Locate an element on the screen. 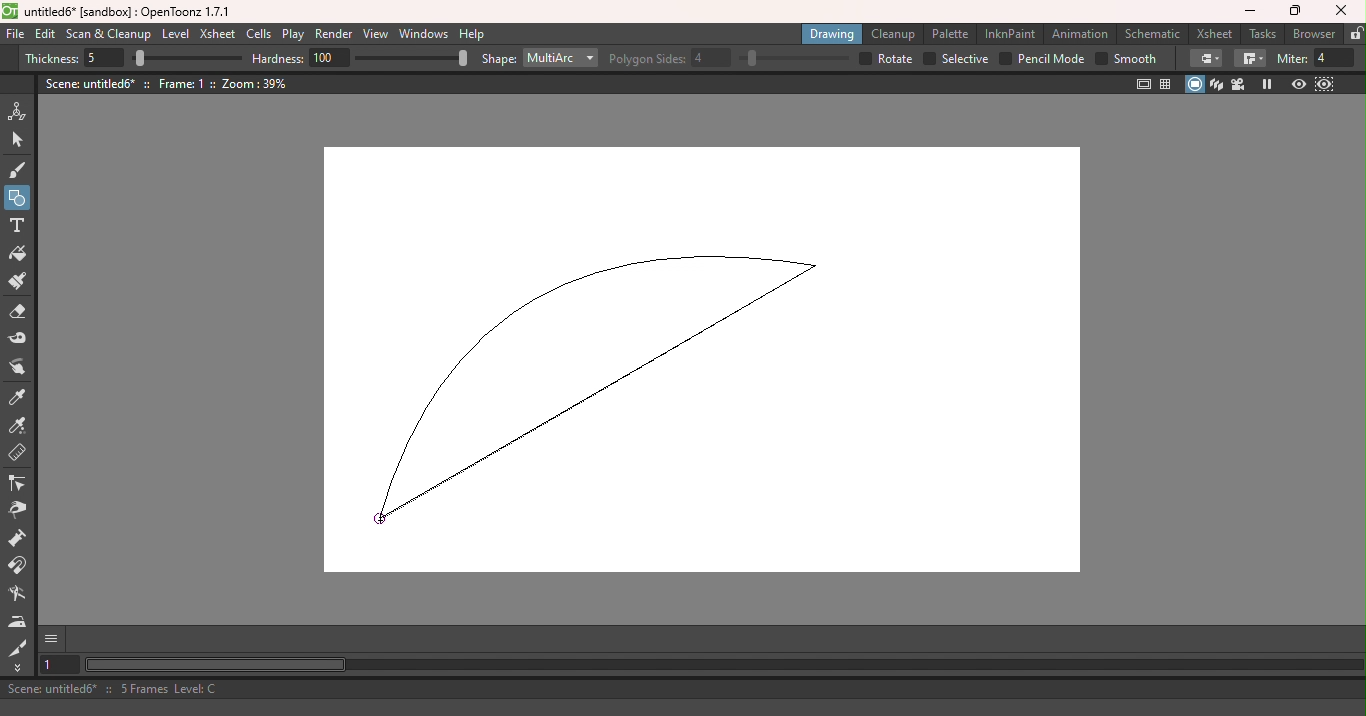 The image size is (1366, 716). Blender tool is located at coordinates (17, 595).